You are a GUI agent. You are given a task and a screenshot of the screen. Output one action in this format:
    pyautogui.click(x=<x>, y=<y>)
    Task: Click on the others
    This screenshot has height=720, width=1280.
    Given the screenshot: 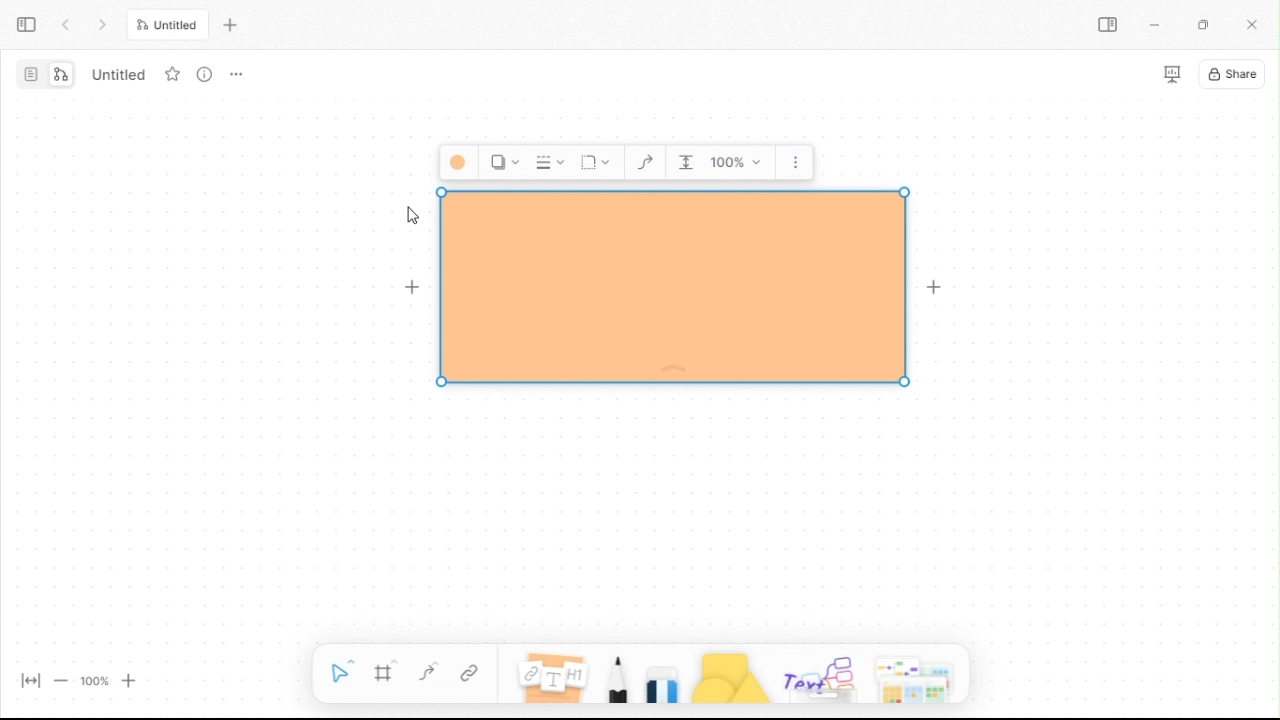 What is the action you would take?
    pyautogui.click(x=819, y=675)
    